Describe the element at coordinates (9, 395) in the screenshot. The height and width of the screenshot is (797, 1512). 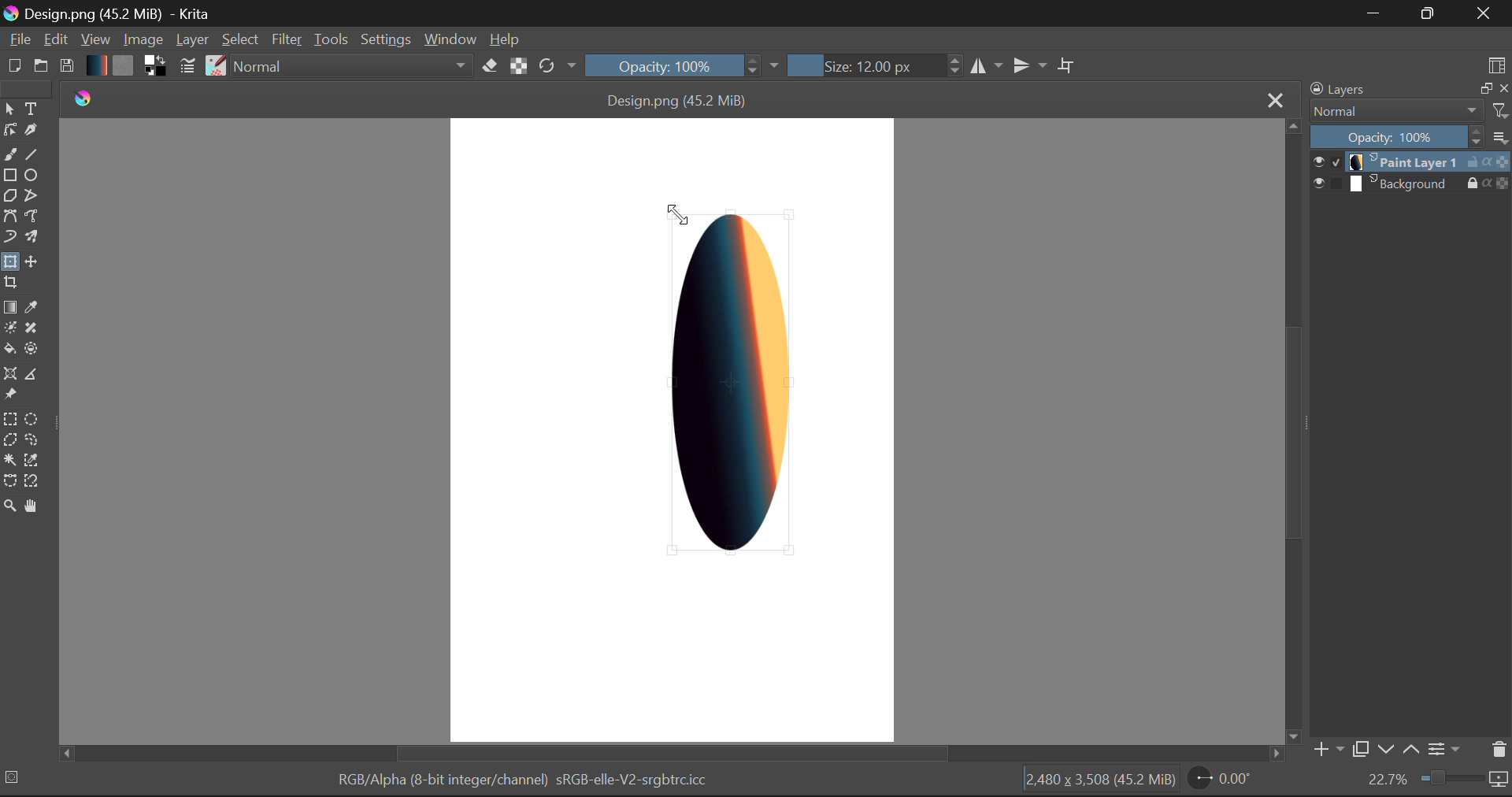
I see `Reference Image` at that location.